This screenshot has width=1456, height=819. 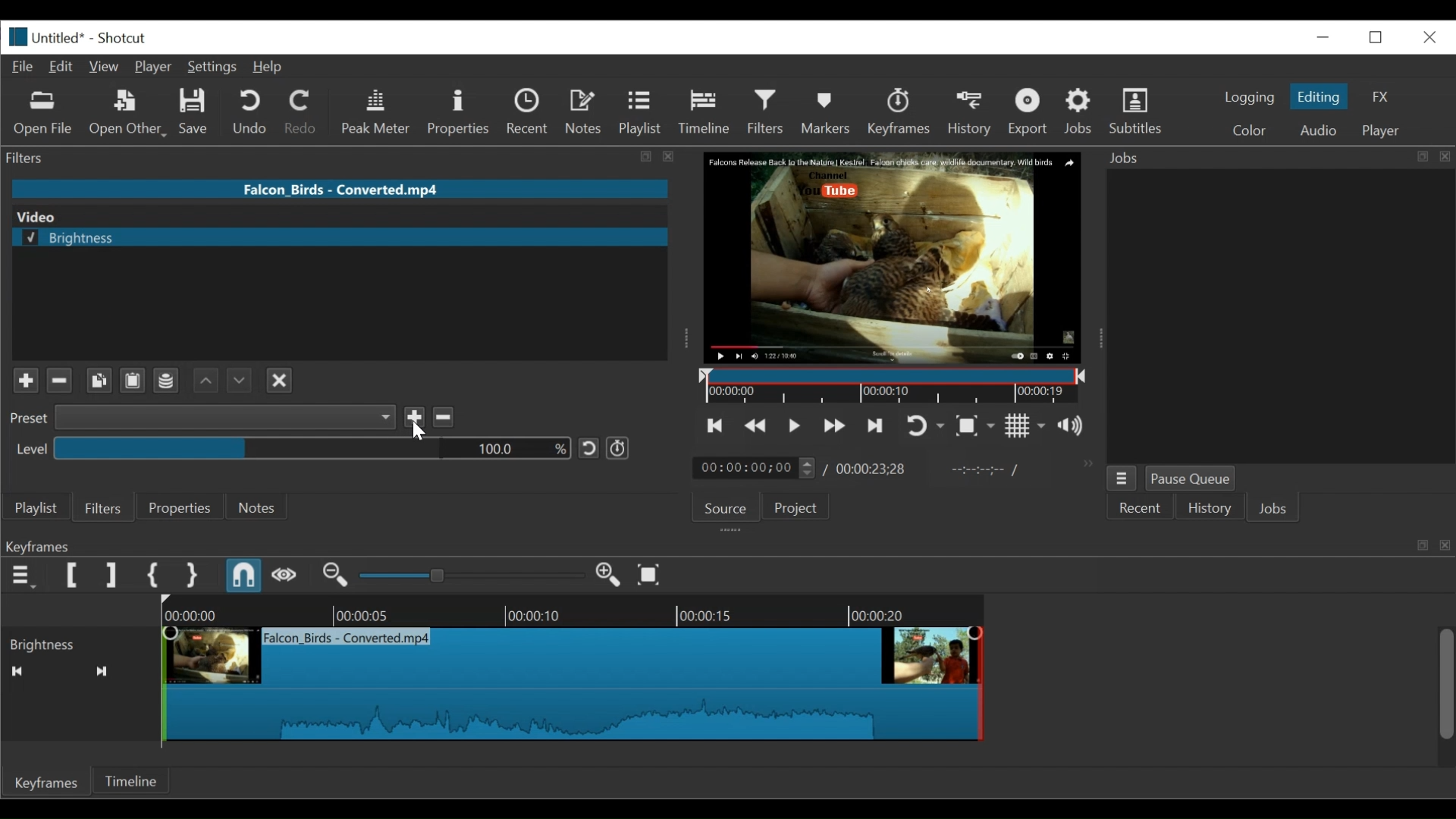 I want to click on Zoom keyframe out, so click(x=335, y=576).